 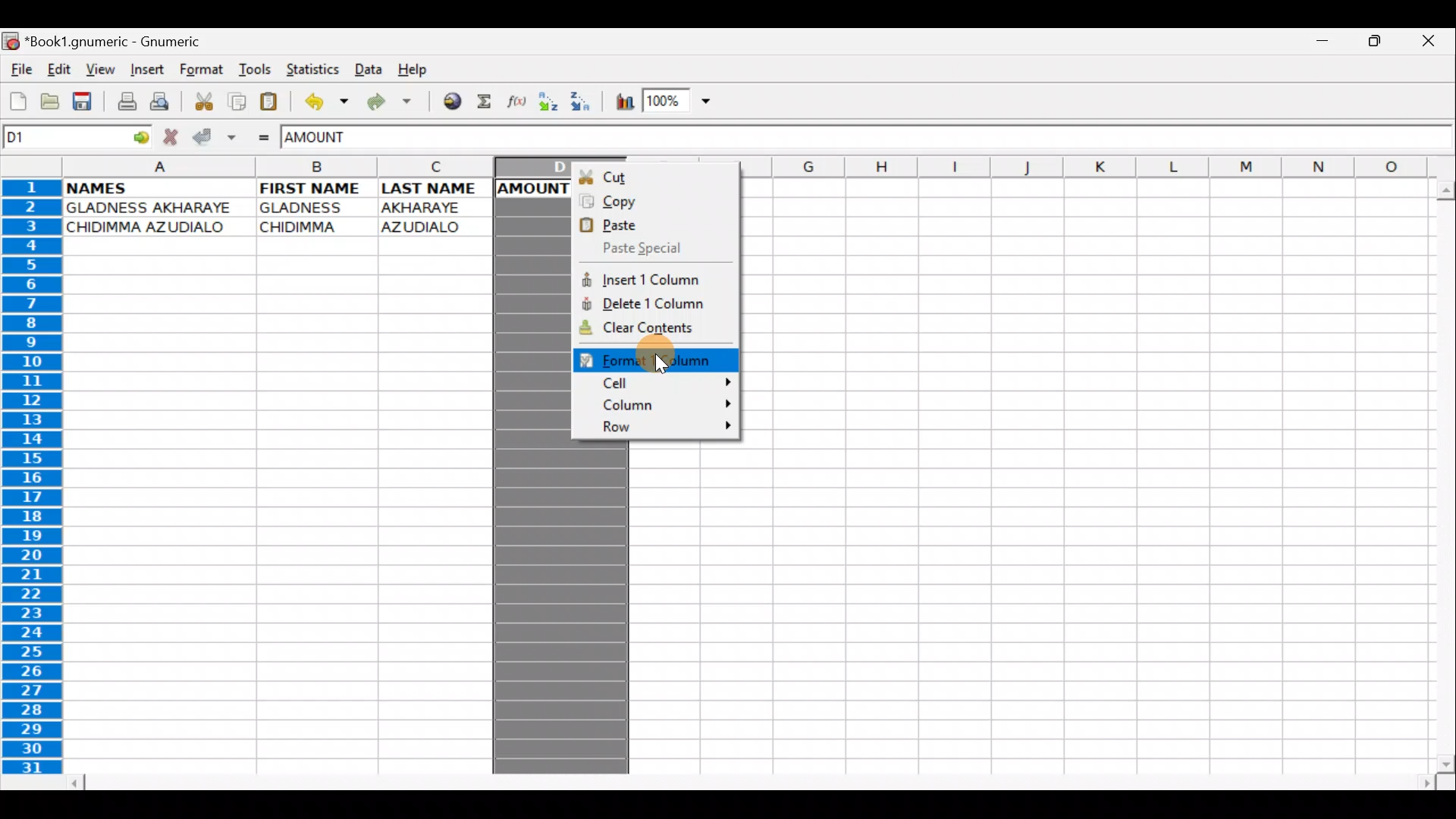 I want to click on Minimize, so click(x=1327, y=44).